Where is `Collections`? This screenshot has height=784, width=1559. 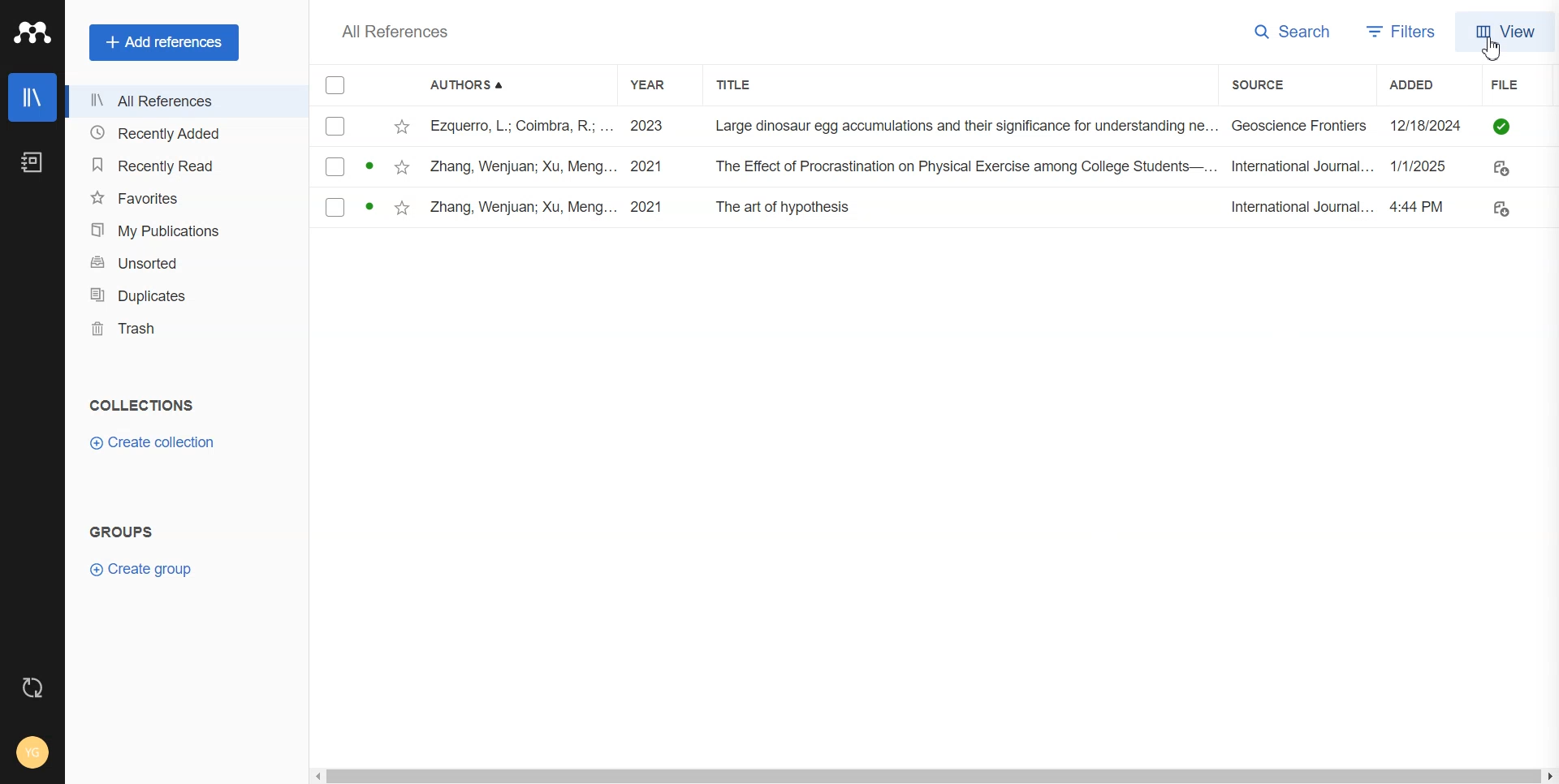 Collections is located at coordinates (145, 403).